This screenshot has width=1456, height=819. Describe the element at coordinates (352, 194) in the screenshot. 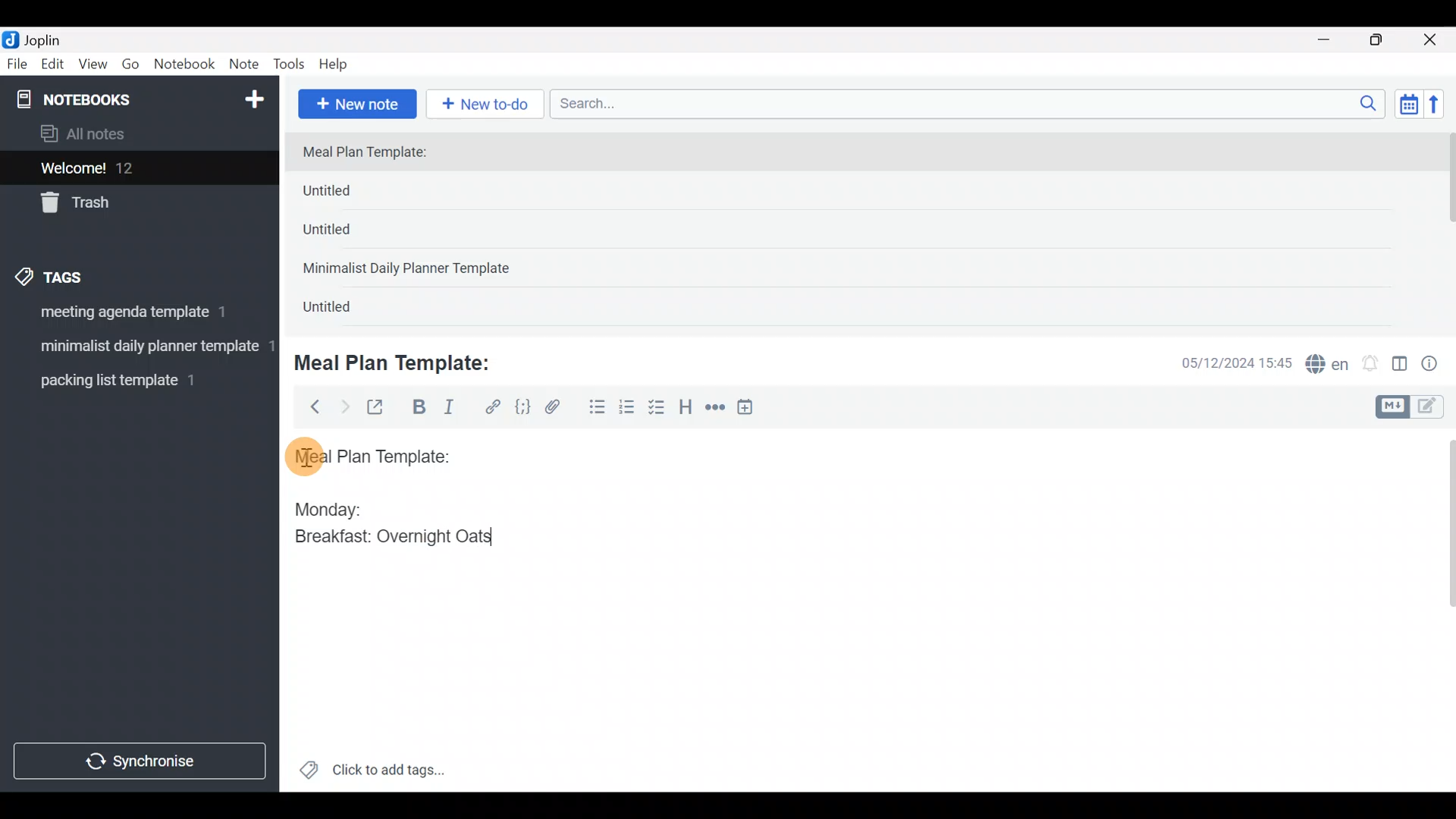

I see `Untitled` at that location.